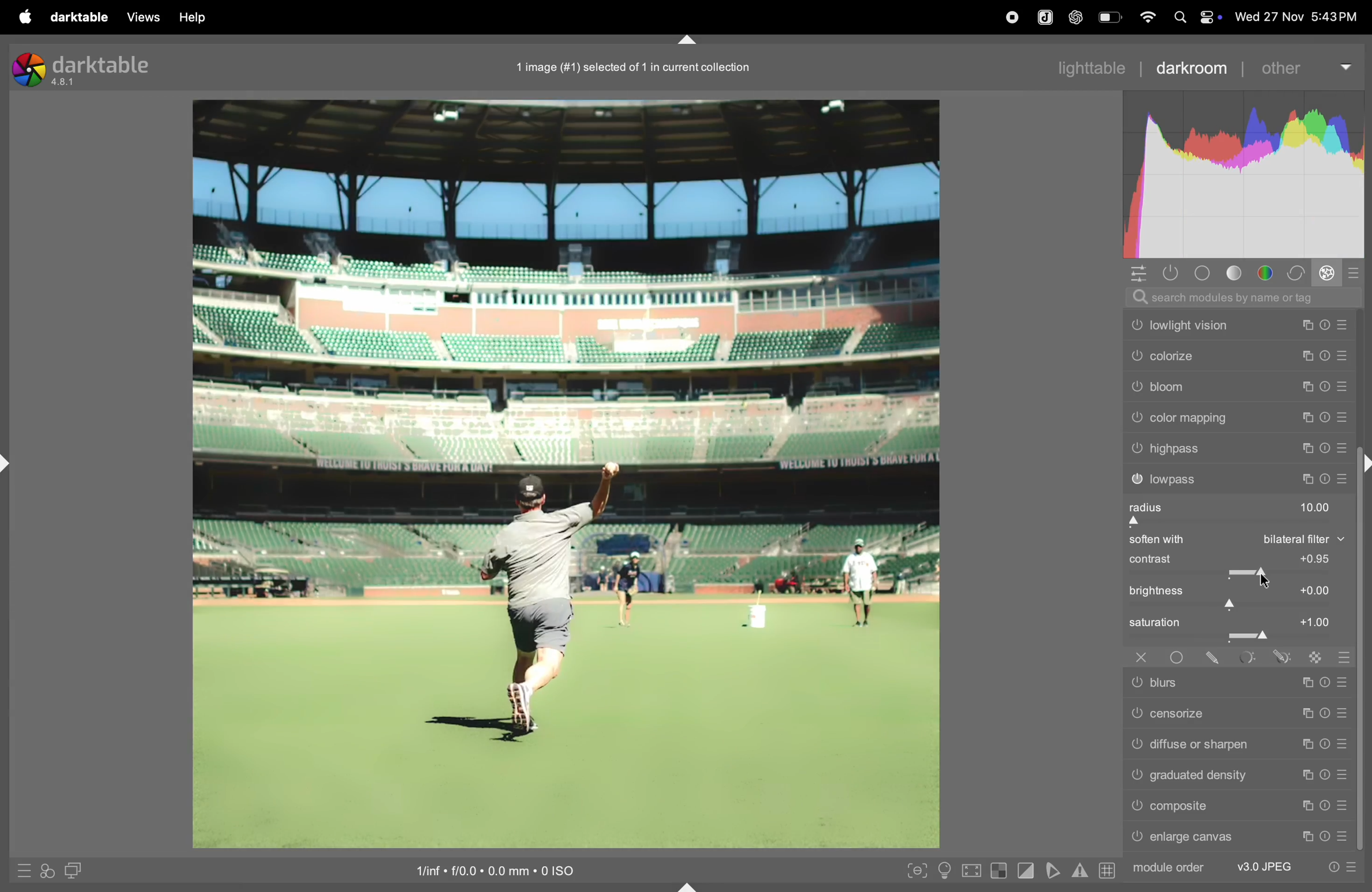 The width and height of the screenshot is (1372, 892). Describe the element at coordinates (1326, 273) in the screenshot. I see `effect` at that location.